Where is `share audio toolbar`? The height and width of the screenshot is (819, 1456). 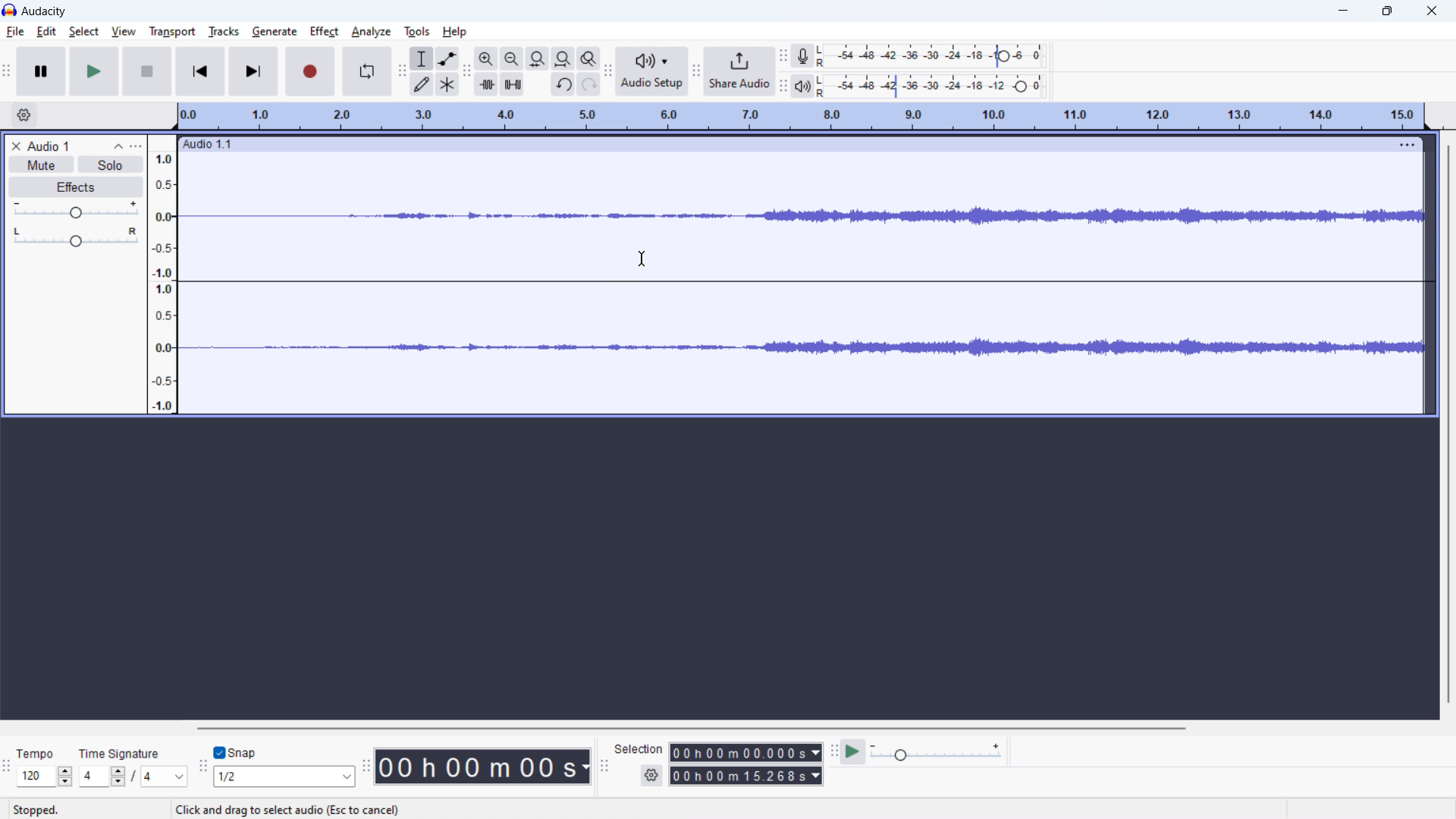 share audio toolbar is located at coordinates (697, 71).